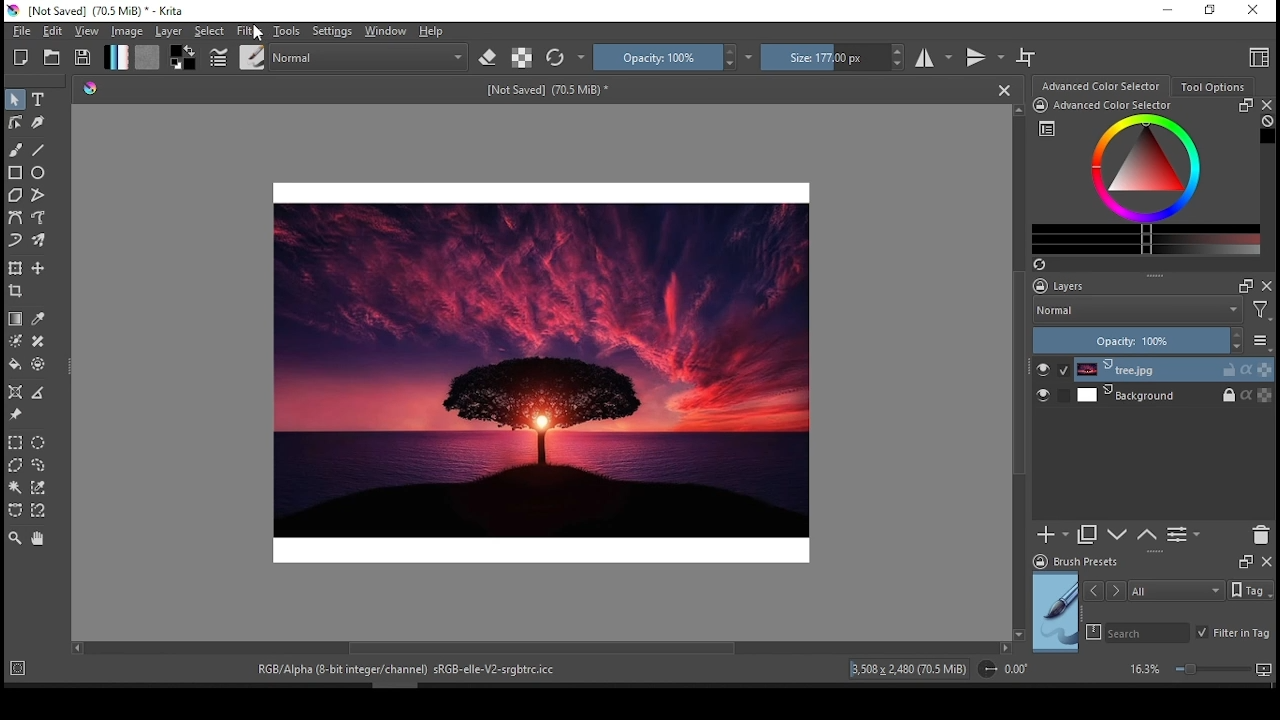 This screenshot has width=1280, height=720. What do you see at coordinates (39, 196) in the screenshot?
I see `polyline tool` at bounding box center [39, 196].